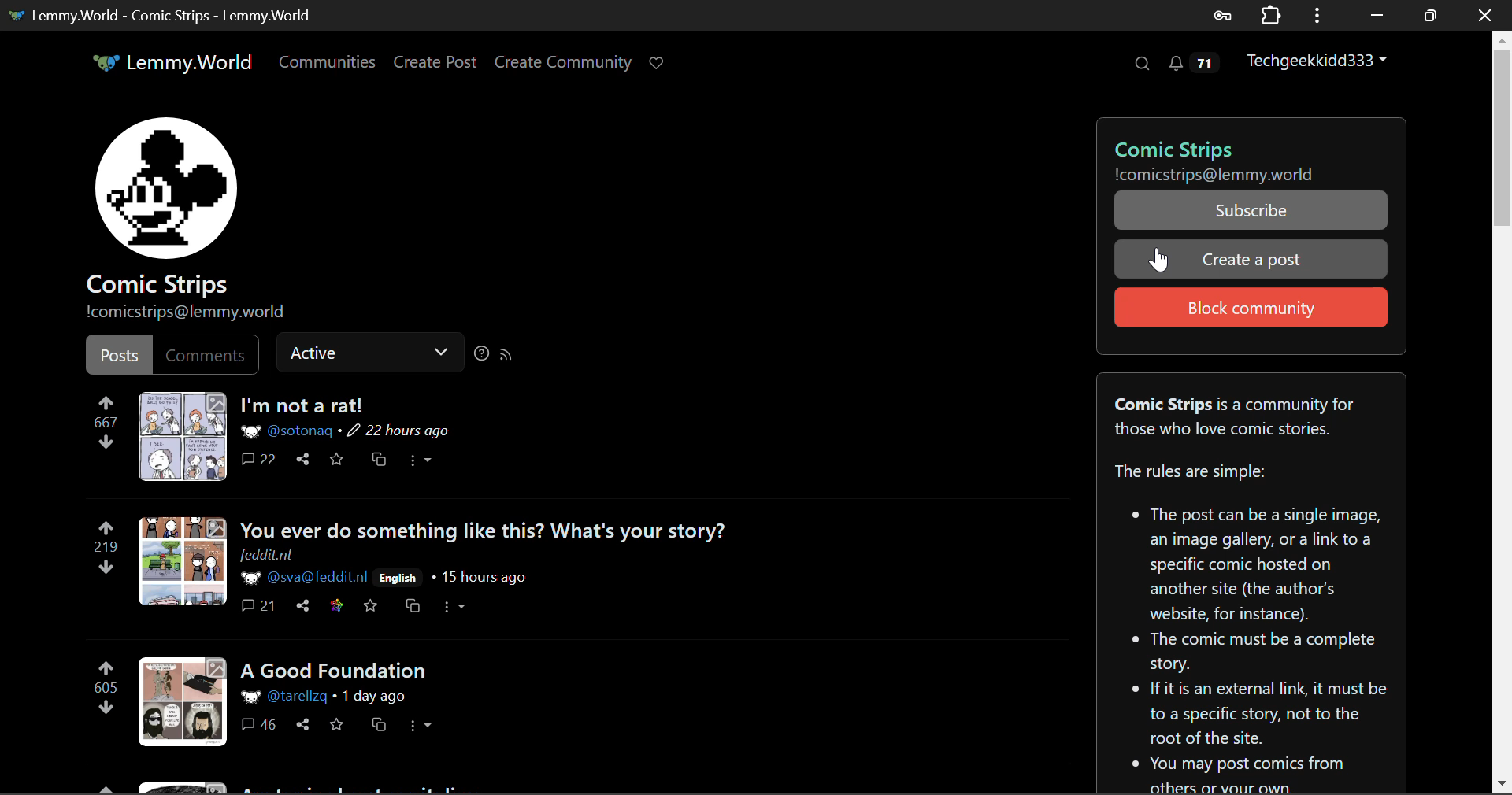 This screenshot has height=795, width=1512. I want to click on Community PFP, so click(167, 184).